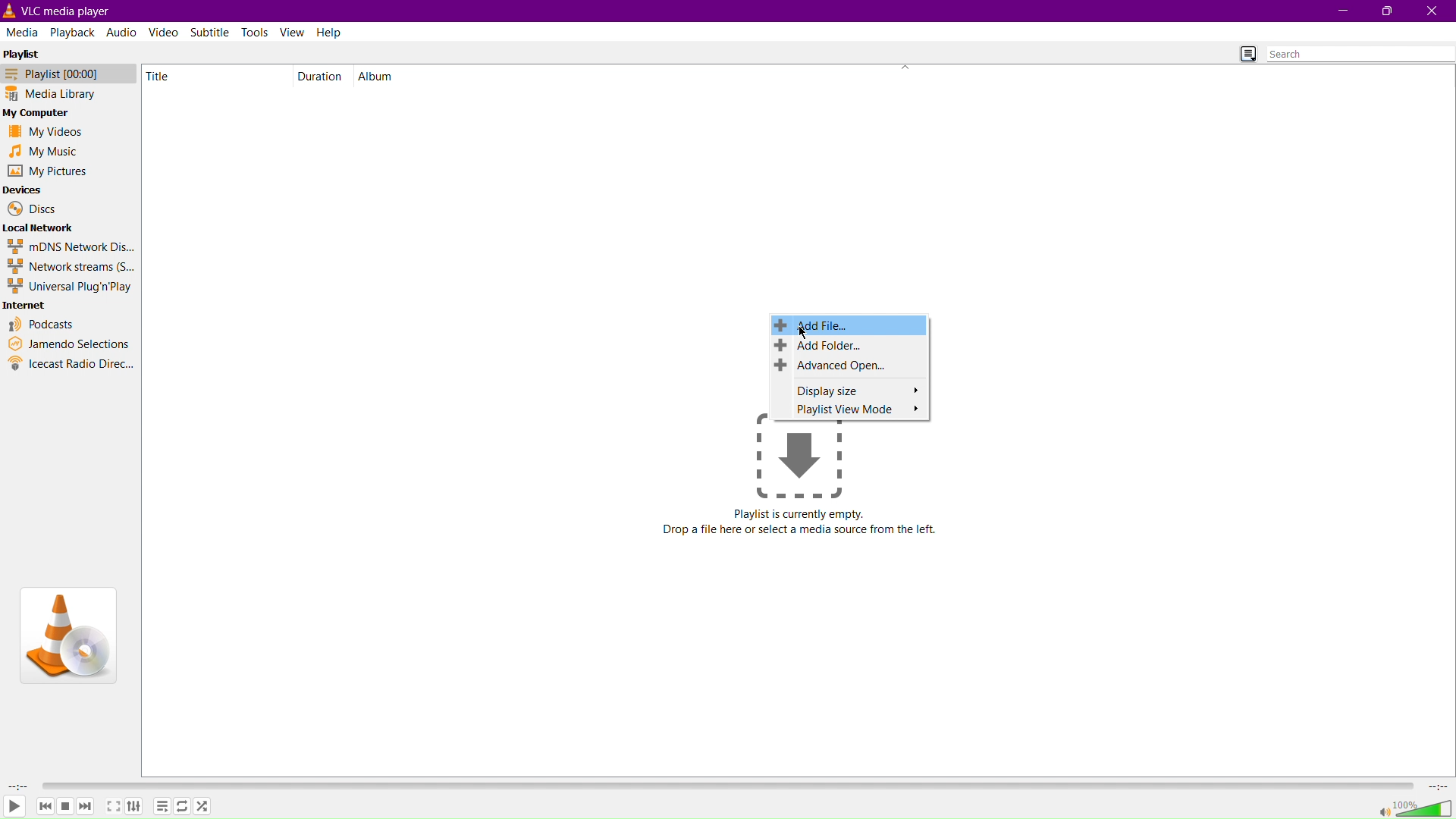  What do you see at coordinates (72, 31) in the screenshot?
I see `Playback` at bounding box center [72, 31].